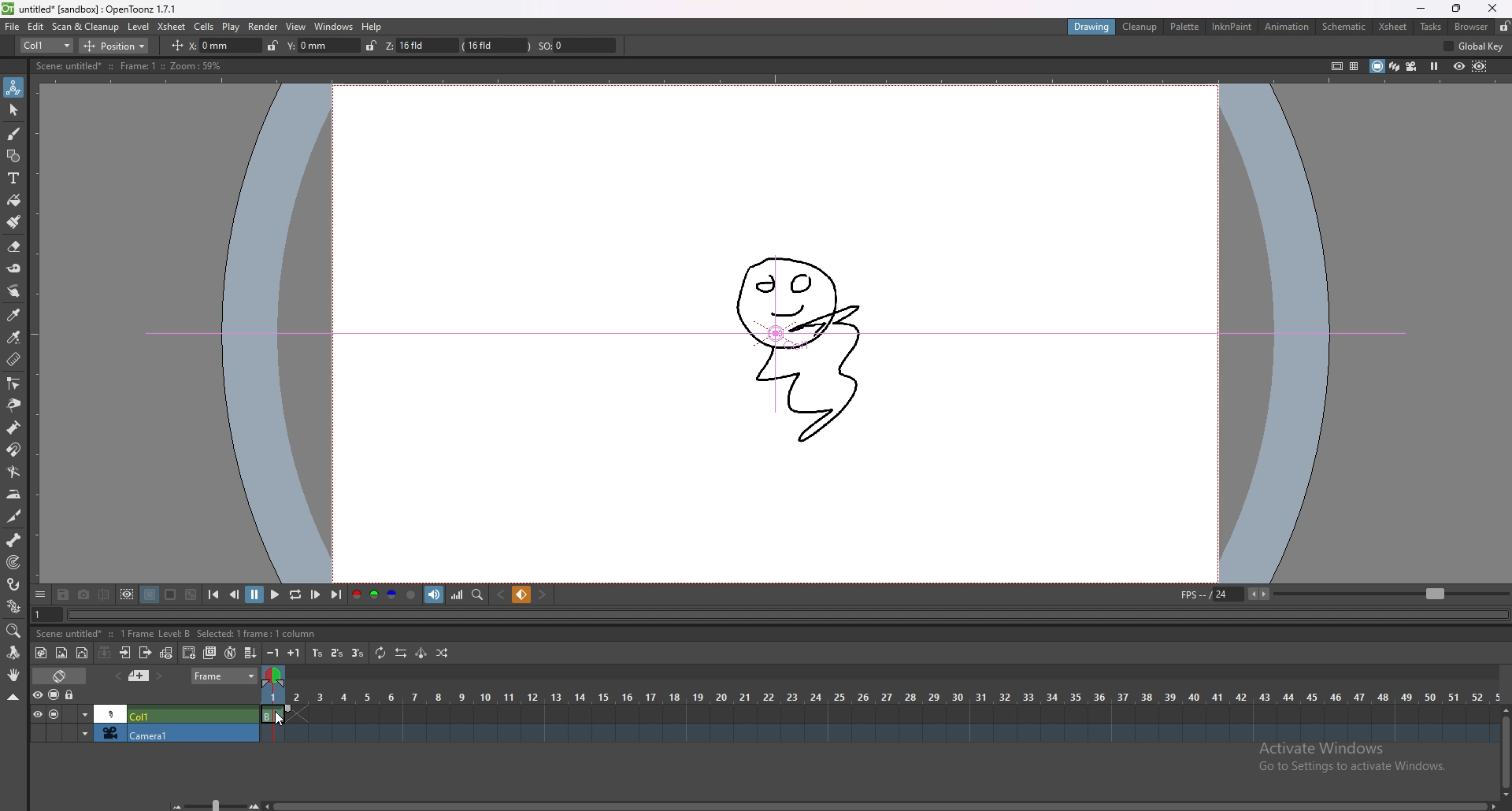  What do you see at coordinates (273, 595) in the screenshot?
I see `play` at bounding box center [273, 595].